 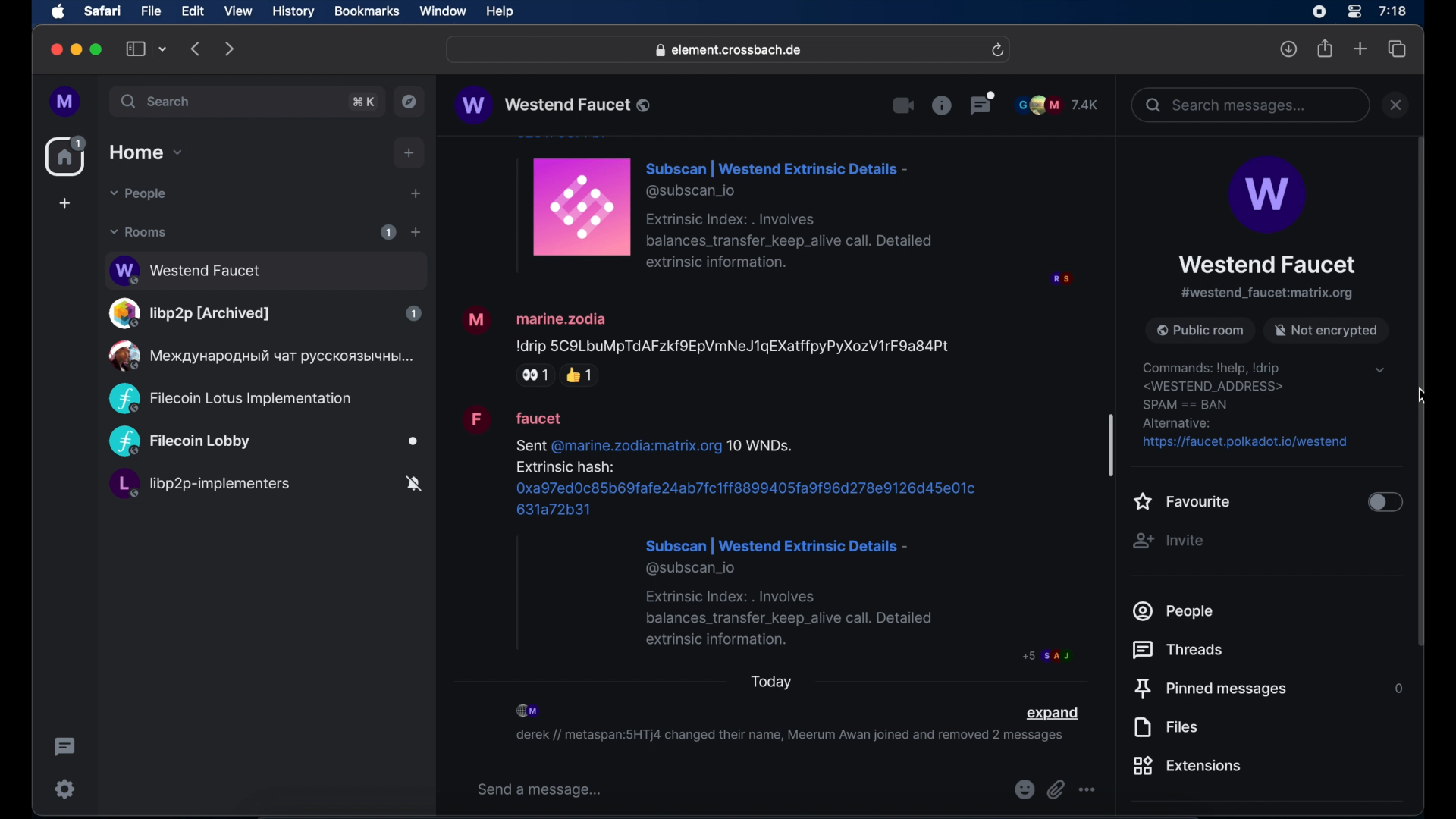 I want to click on create space, so click(x=64, y=203).